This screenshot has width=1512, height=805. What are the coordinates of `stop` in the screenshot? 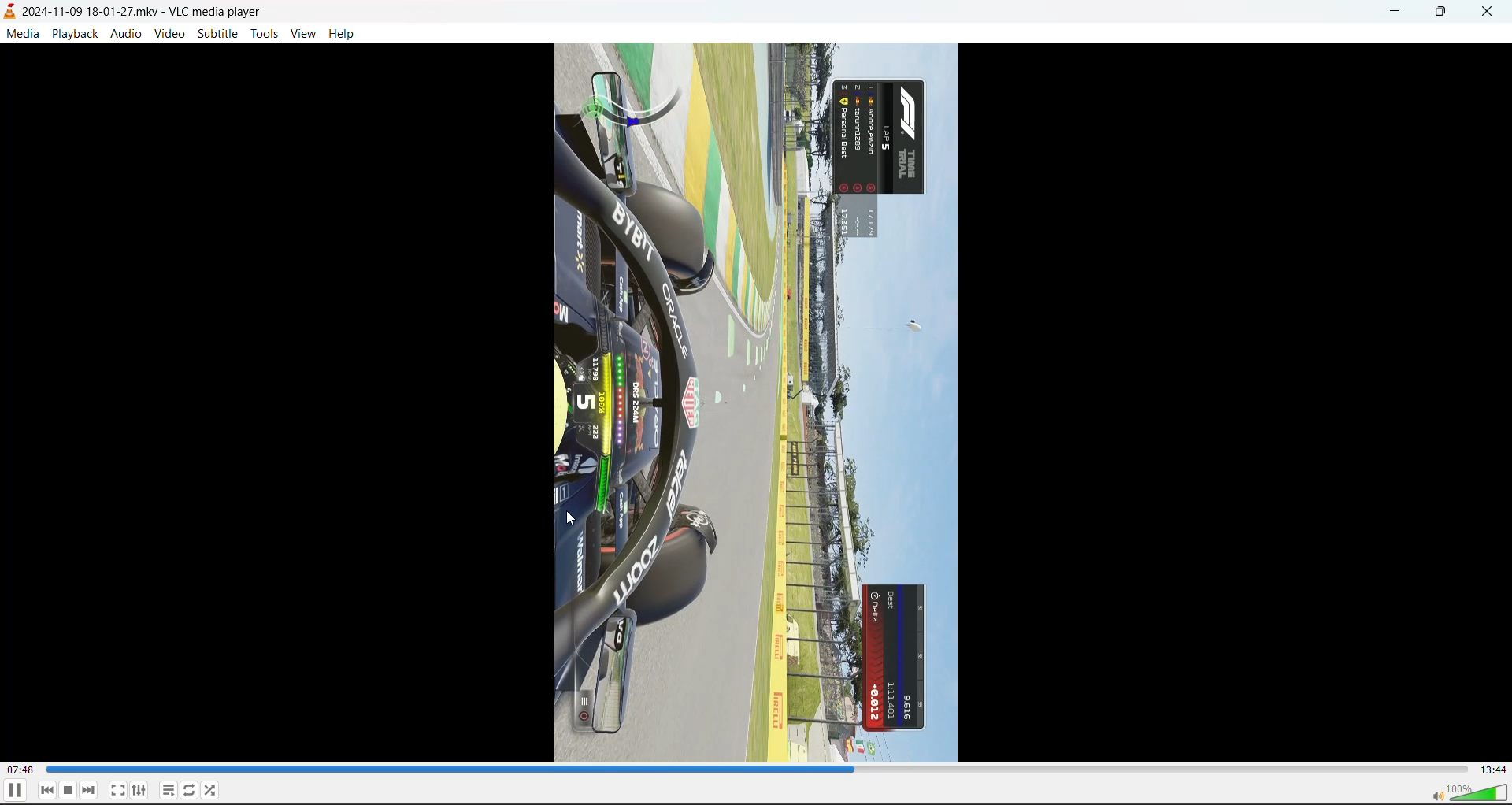 It's located at (69, 790).